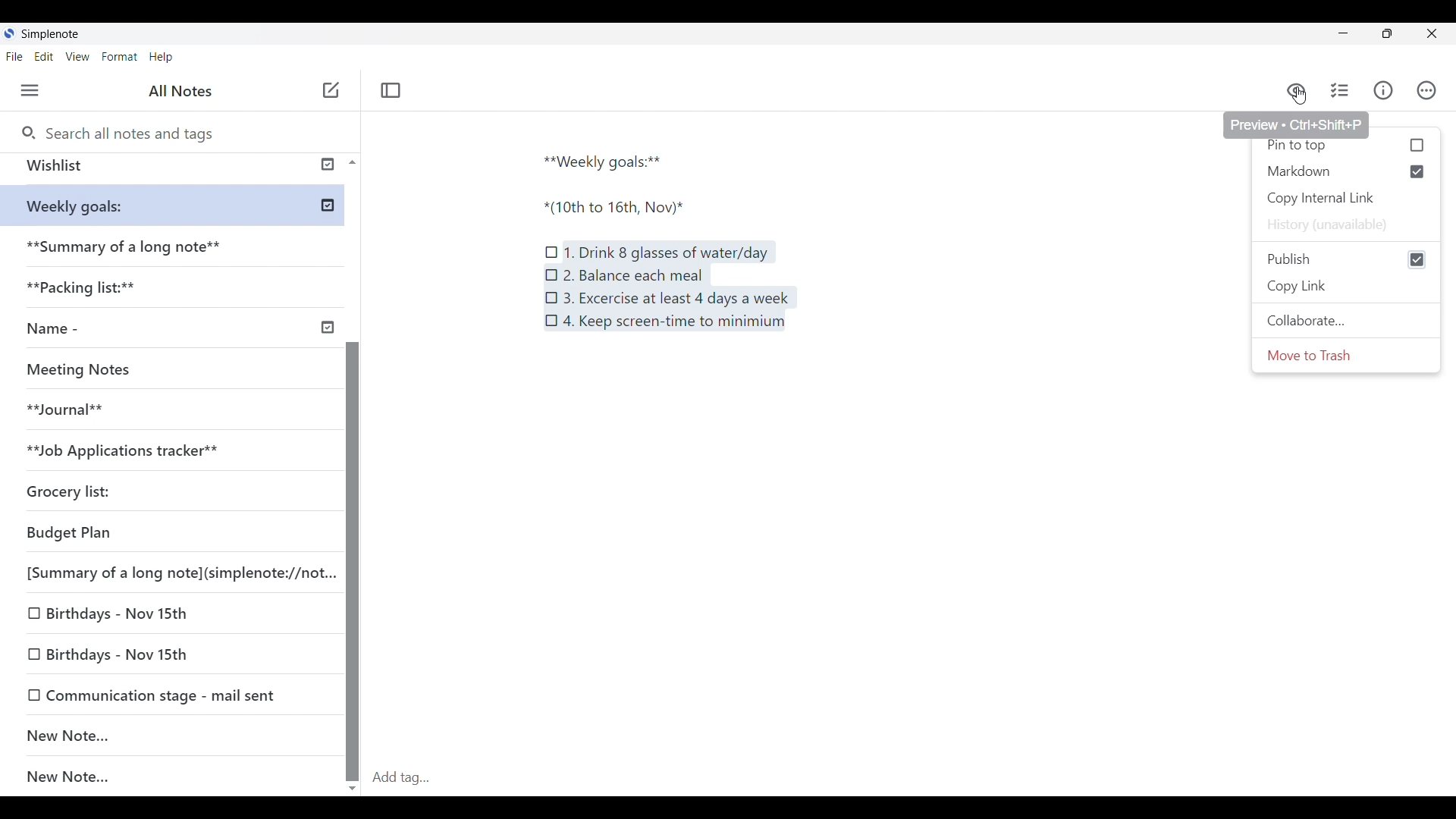 This screenshot has width=1456, height=819. I want to click on View, so click(80, 58).